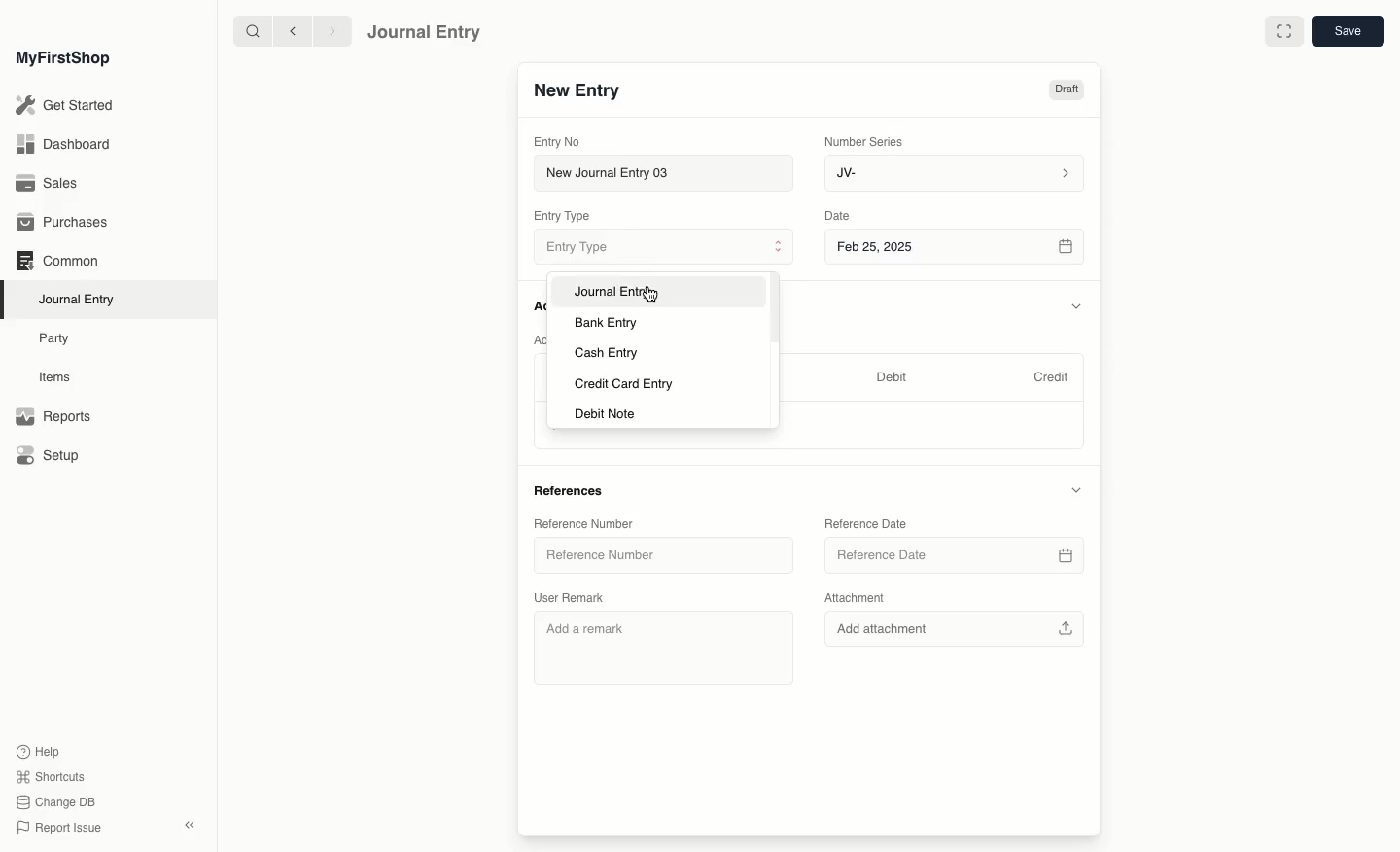 The image size is (1400, 852). What do you see at coordinates (892, 376) in the screenshot?
I see `Debit` at bounding box center [892, 376].